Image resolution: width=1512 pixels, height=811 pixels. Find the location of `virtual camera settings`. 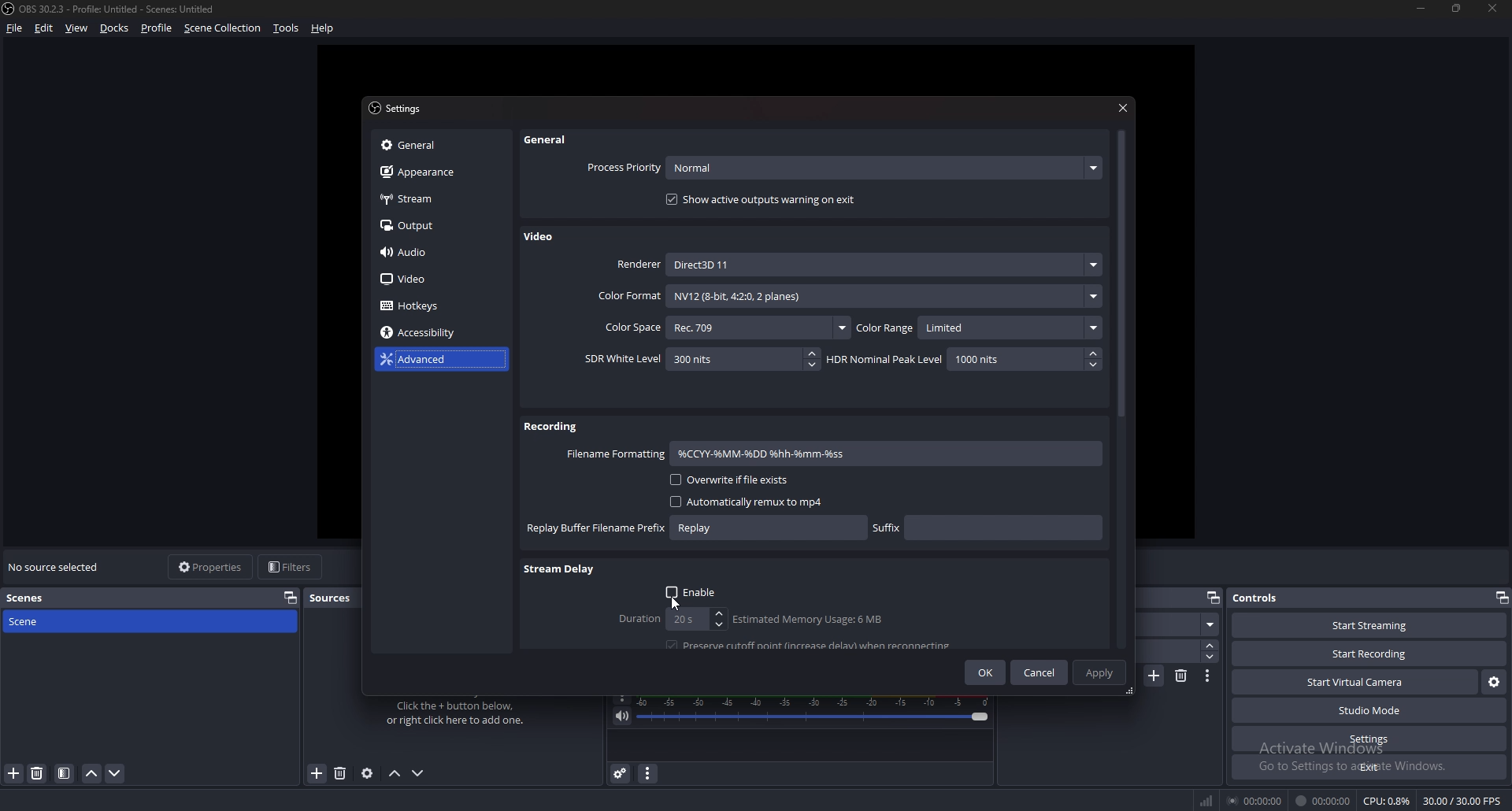

virtual camera settings is located at coordinates (1493, 683).